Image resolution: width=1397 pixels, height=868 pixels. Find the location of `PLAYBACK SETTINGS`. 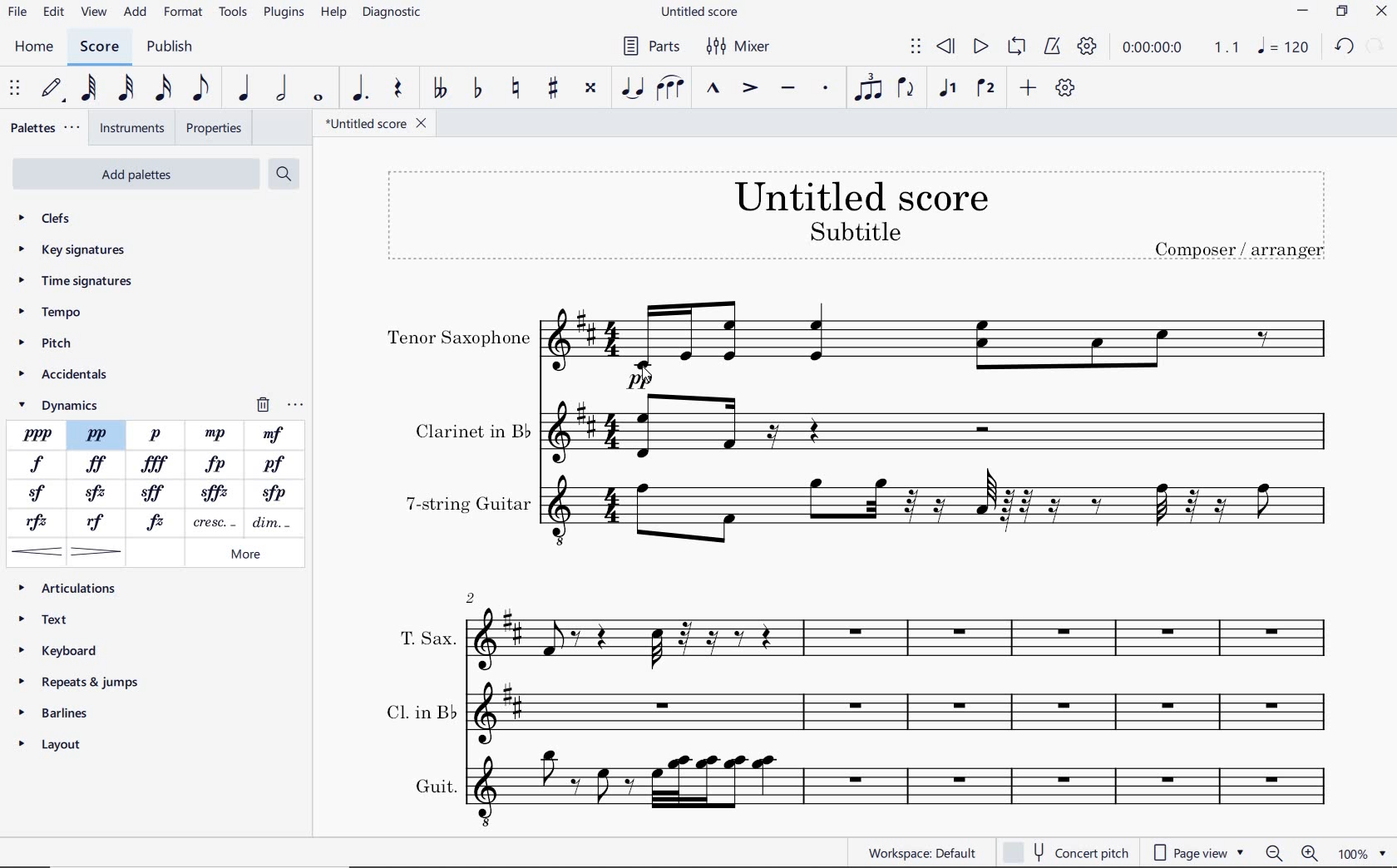

PLAYBACK SETTINGS is located at coordinates (1089, 47).